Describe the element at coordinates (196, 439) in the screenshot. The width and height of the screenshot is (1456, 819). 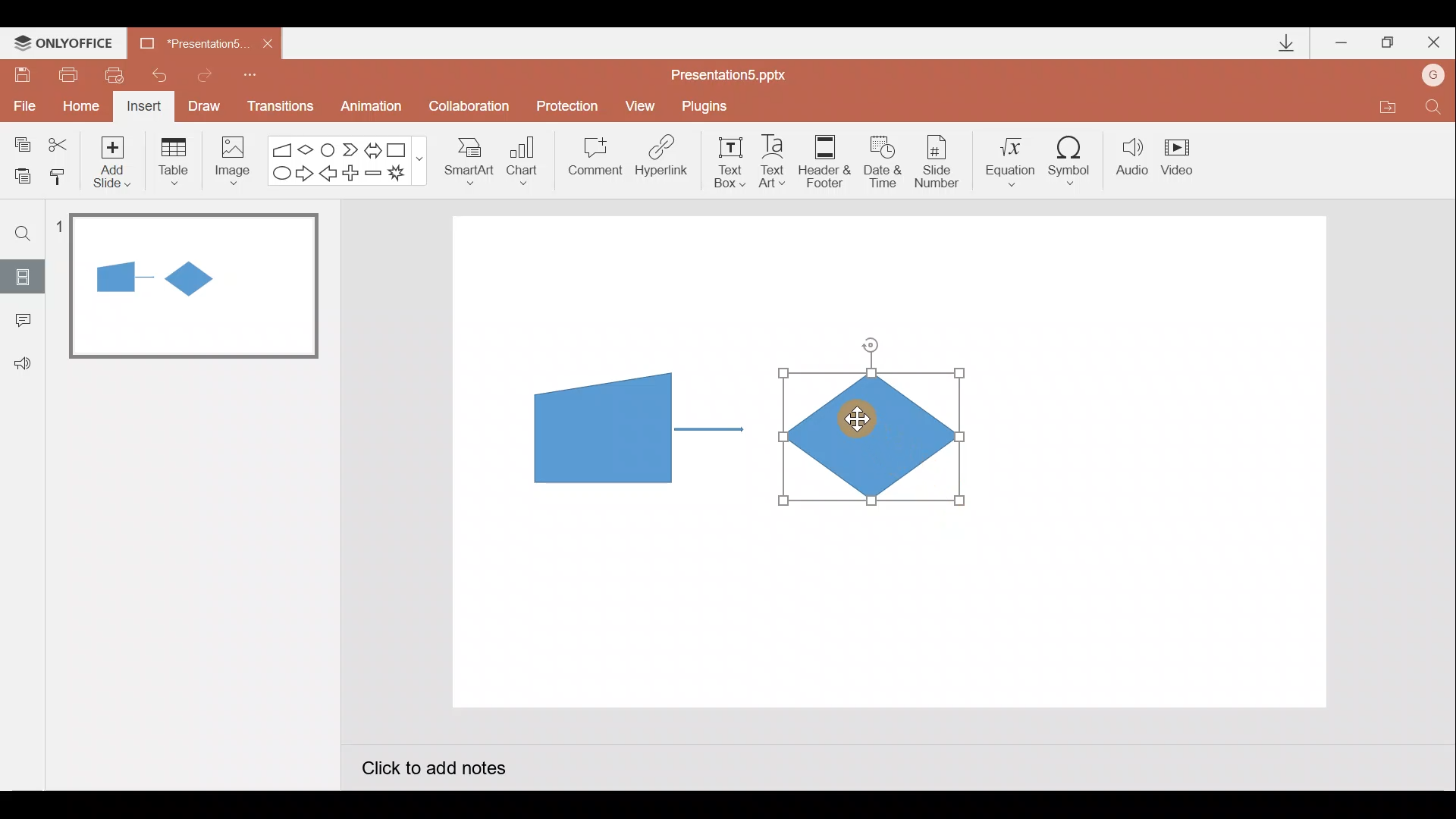
I see `Slide pane` at that location.